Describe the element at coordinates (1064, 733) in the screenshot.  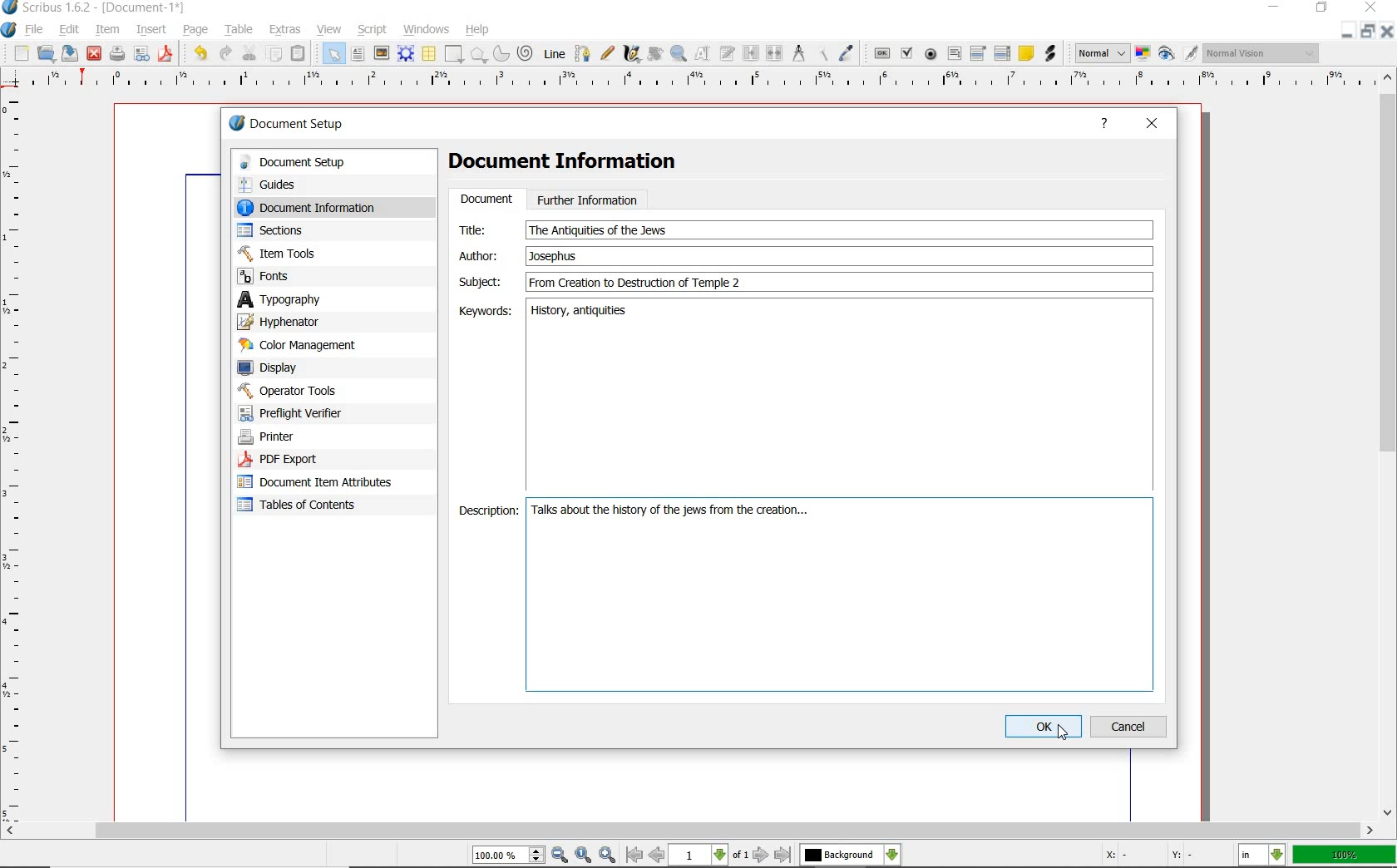
I see `cursor` at that location.